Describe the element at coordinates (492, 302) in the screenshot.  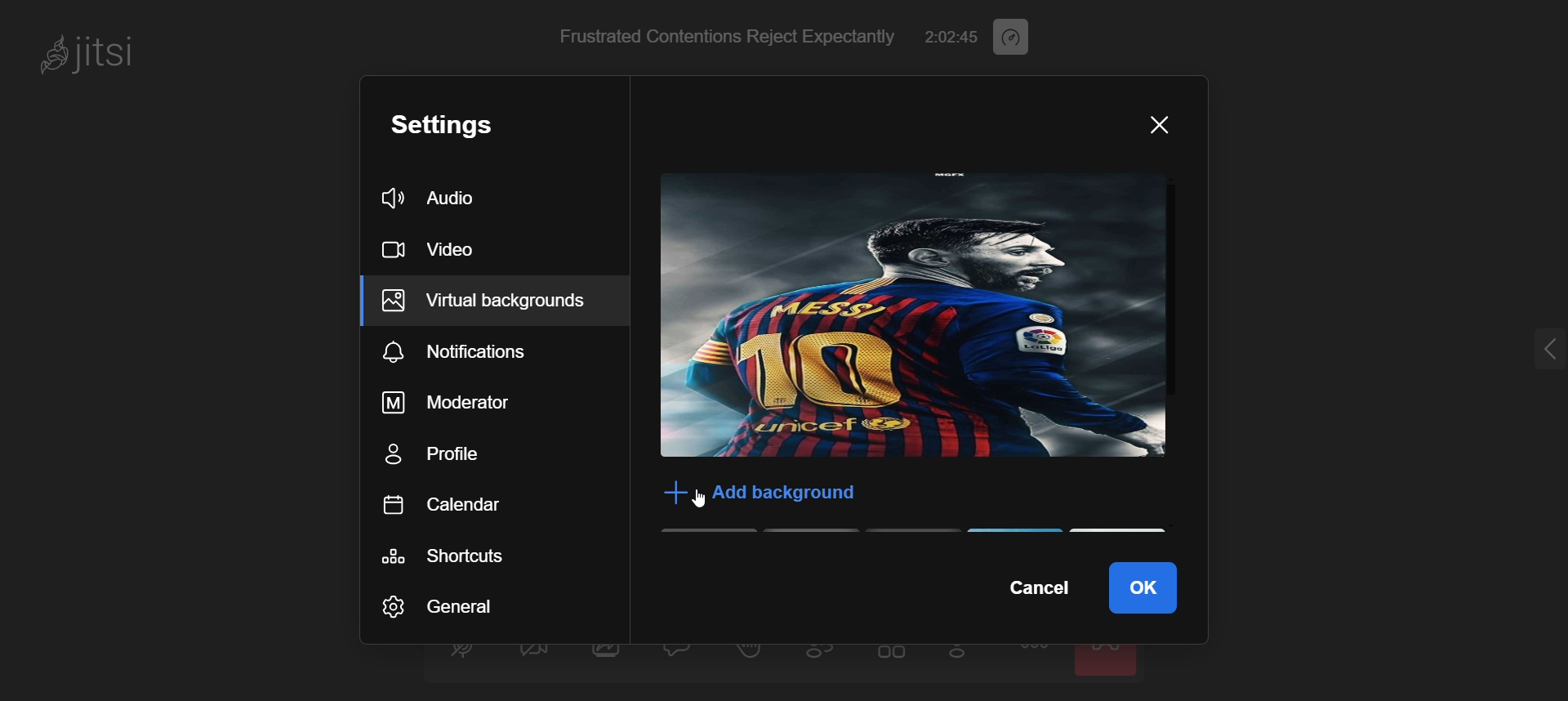
I see `virtual background` at that location.